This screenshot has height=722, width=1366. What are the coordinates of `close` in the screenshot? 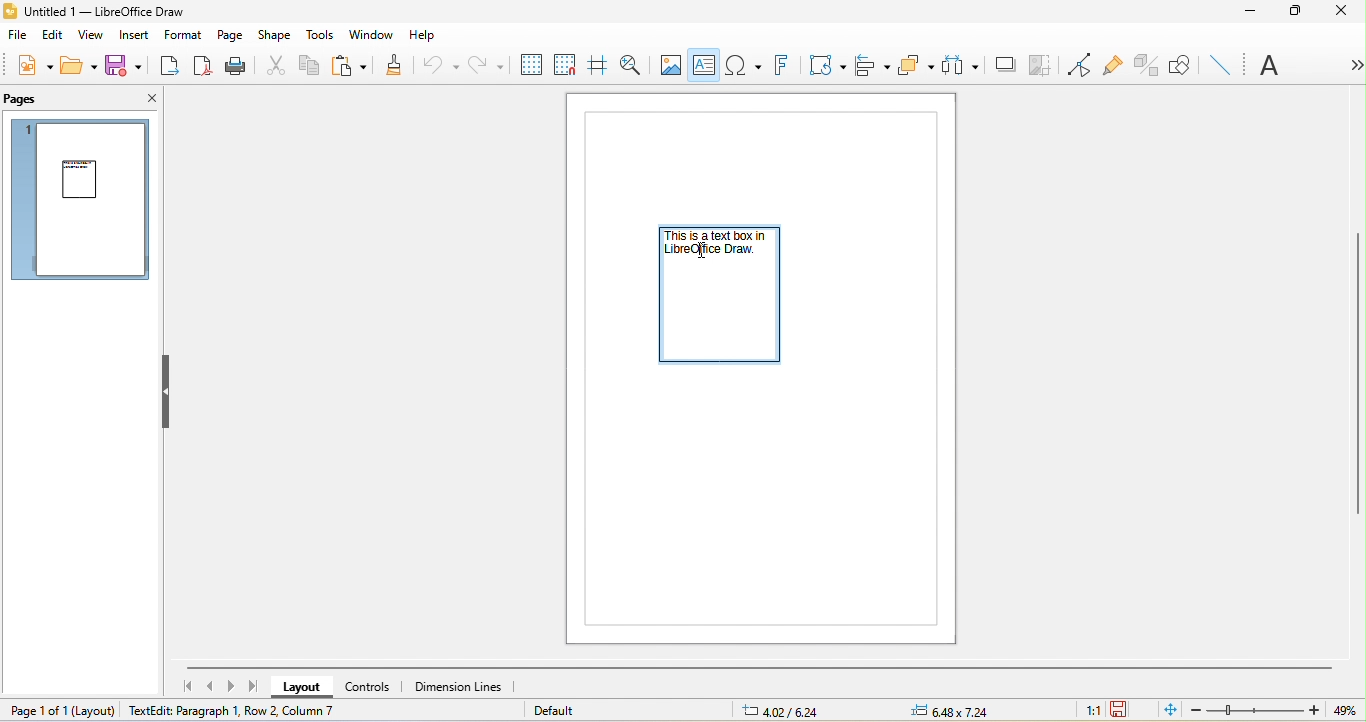 It's located at (142, 97).